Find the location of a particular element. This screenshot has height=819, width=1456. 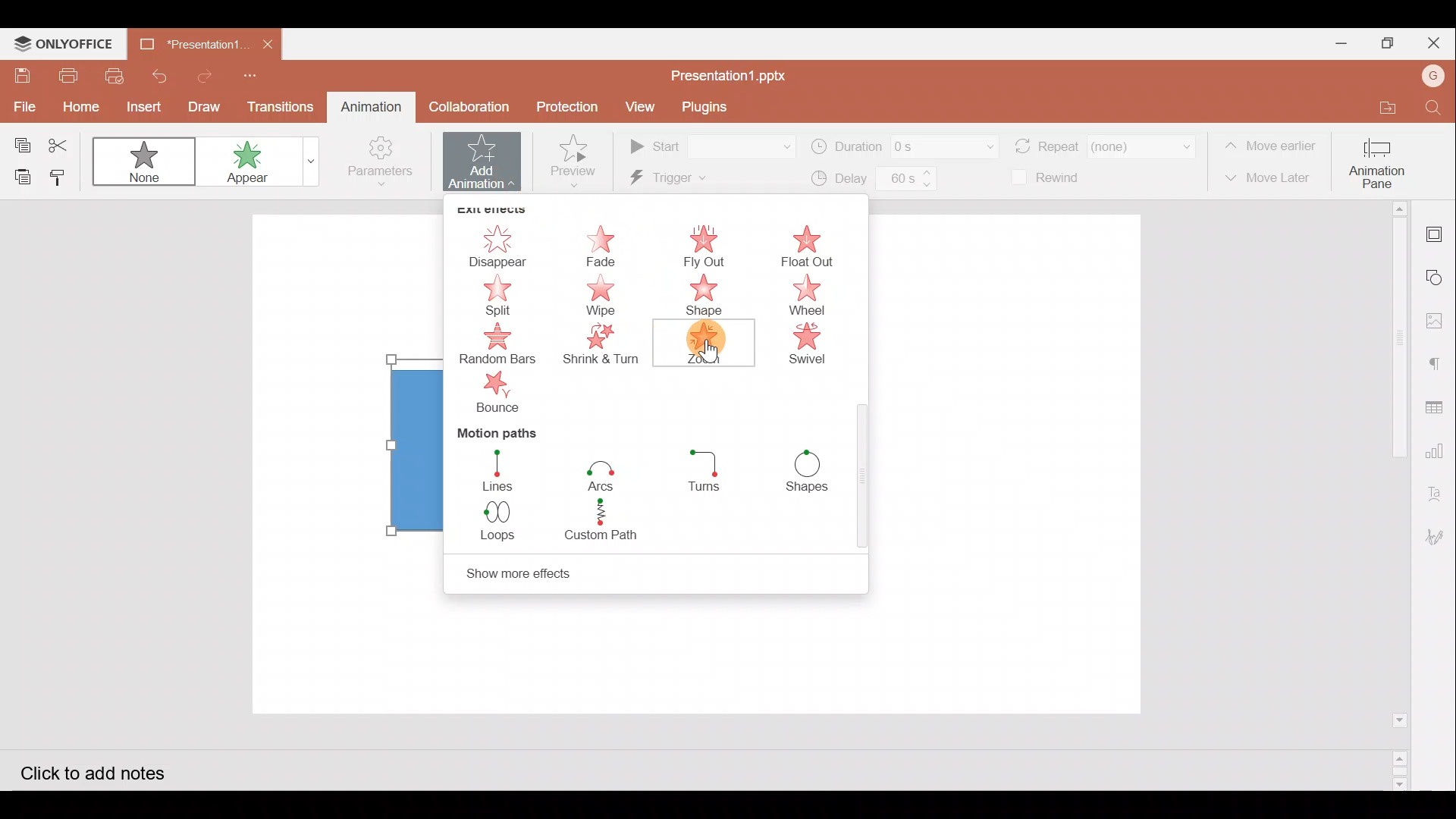

Shape is located at coordinates (704, 295).